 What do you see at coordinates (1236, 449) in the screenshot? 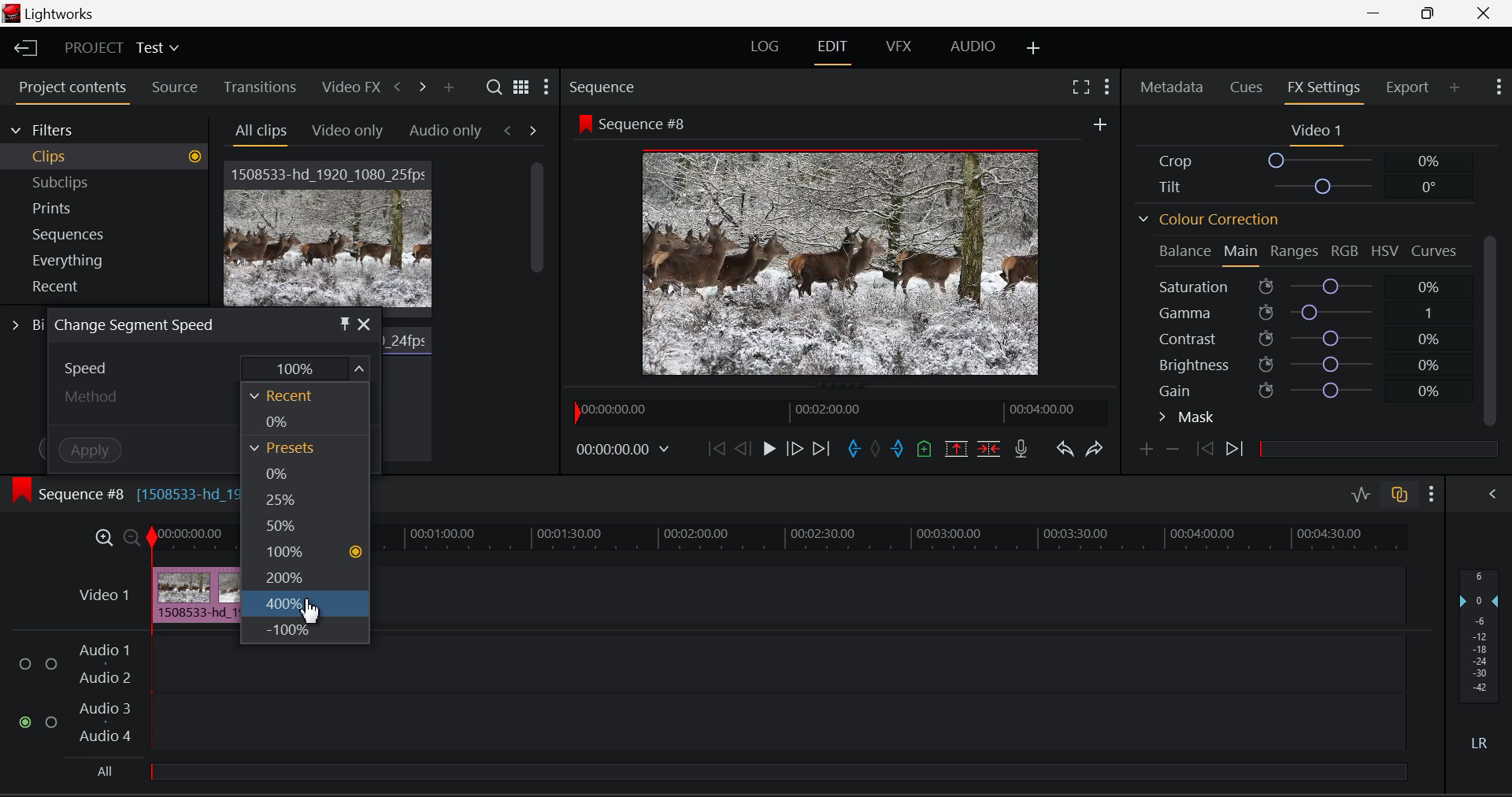
I see `Next Keyframe` at bounding box center [1236, 449].